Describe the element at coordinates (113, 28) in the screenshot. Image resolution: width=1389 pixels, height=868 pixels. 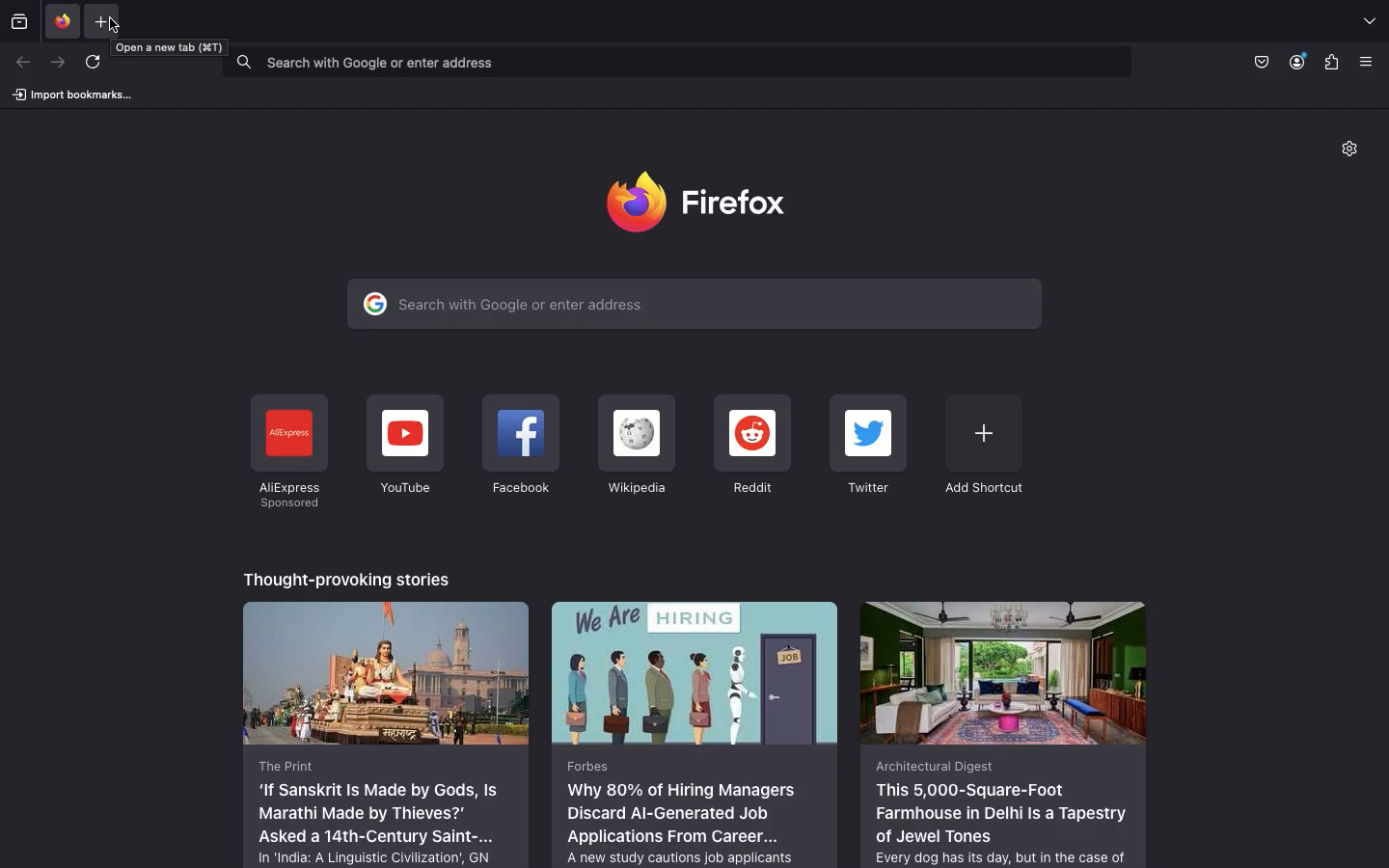
I see `Cursor` at that location.